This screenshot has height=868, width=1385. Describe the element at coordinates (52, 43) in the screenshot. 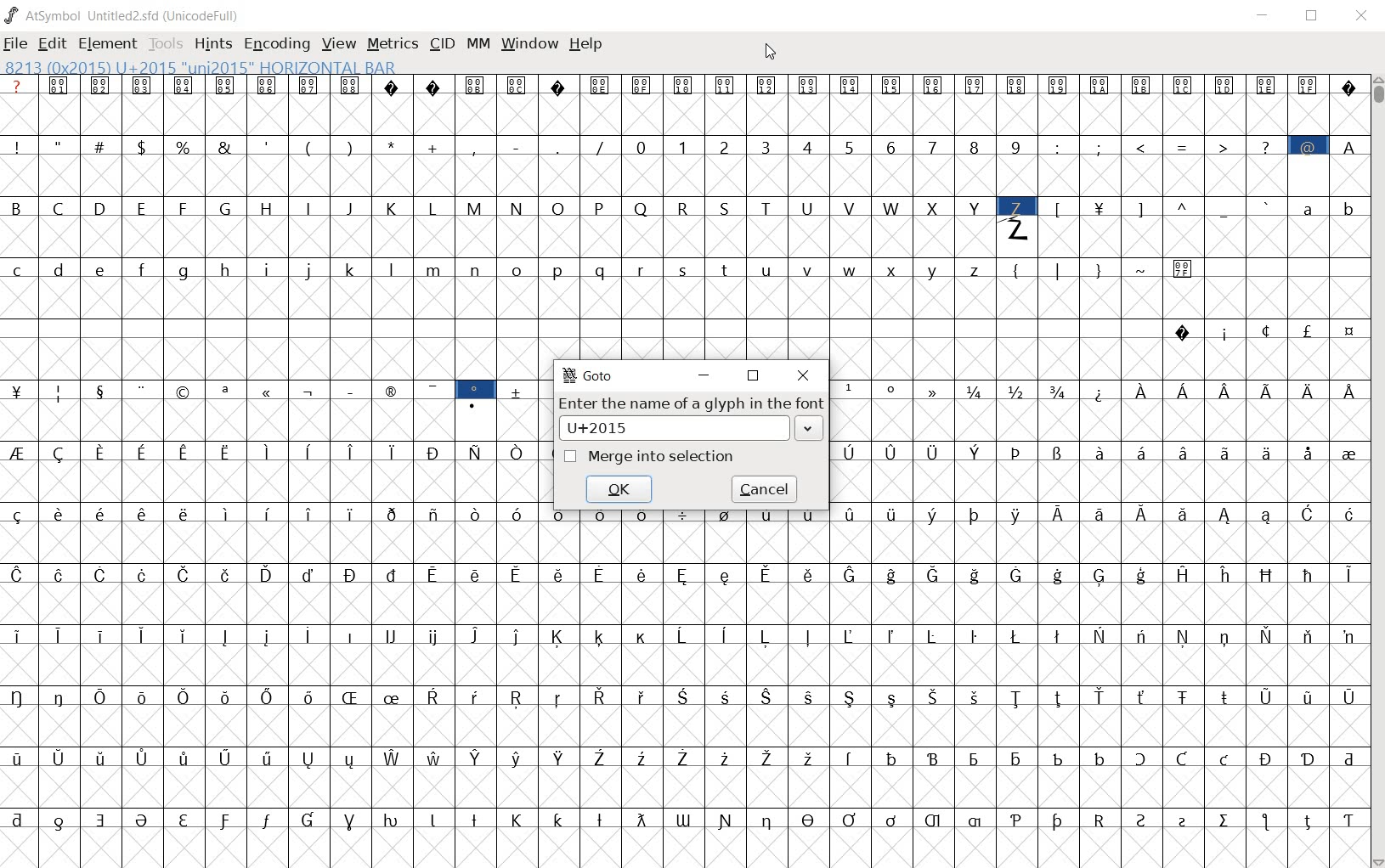

I see `EDIT` at that location.